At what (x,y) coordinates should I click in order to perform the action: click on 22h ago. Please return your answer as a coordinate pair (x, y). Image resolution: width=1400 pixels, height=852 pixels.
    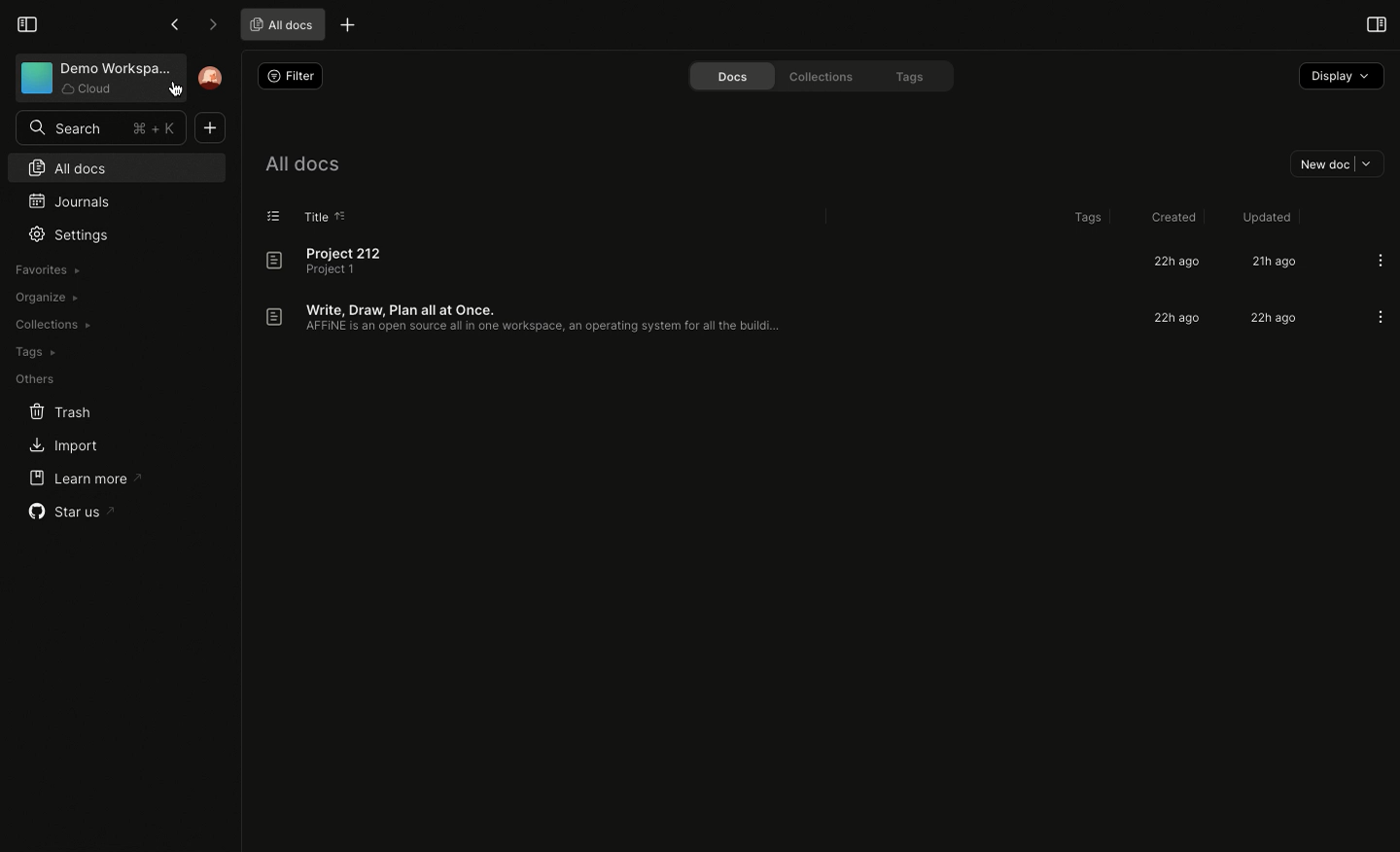
    Looking at the image, I should click on (1172, 262).